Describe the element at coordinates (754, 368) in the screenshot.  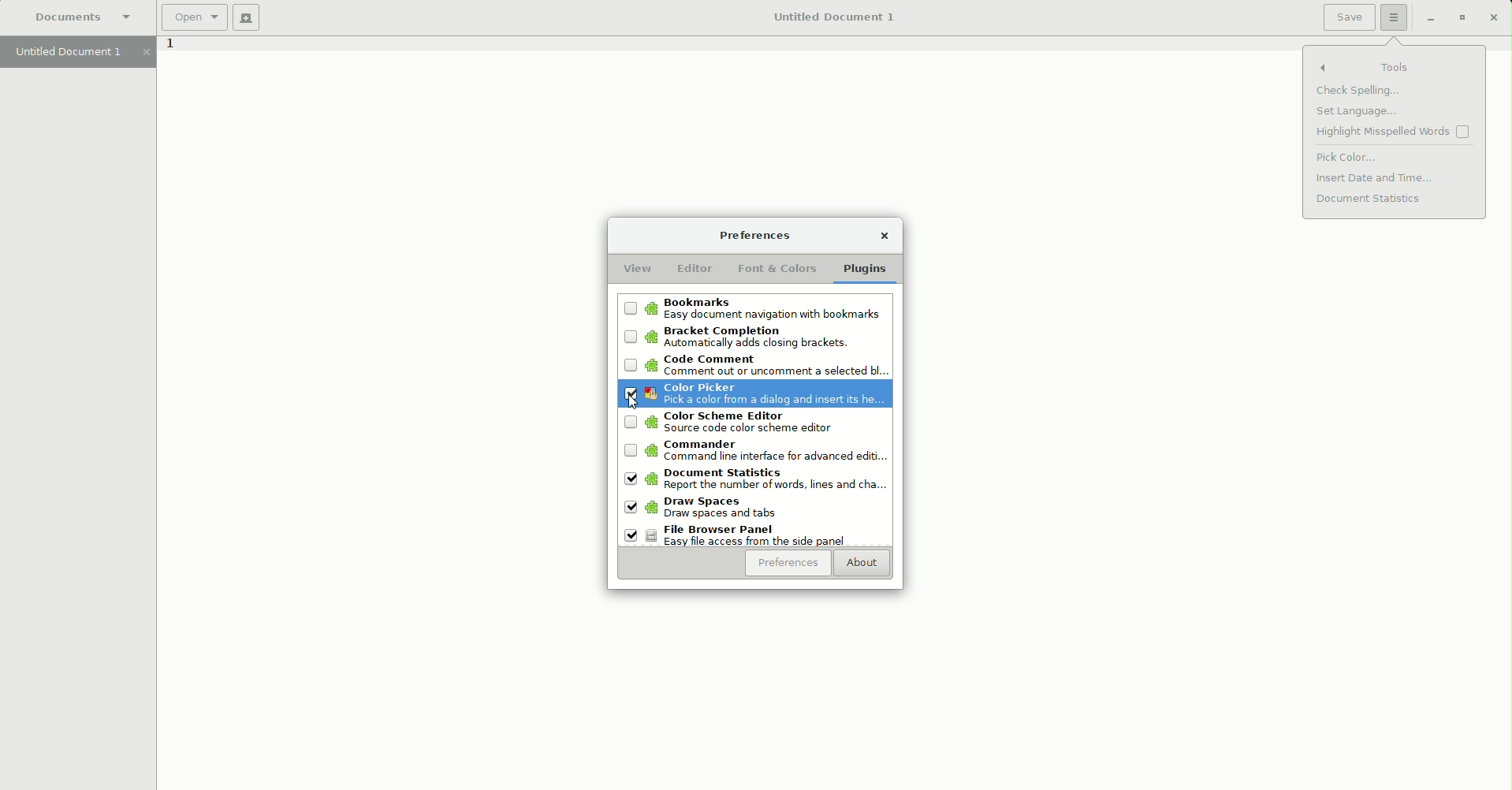
I see `Code comment: Comment out of uncomment a selected bl.` at that location.